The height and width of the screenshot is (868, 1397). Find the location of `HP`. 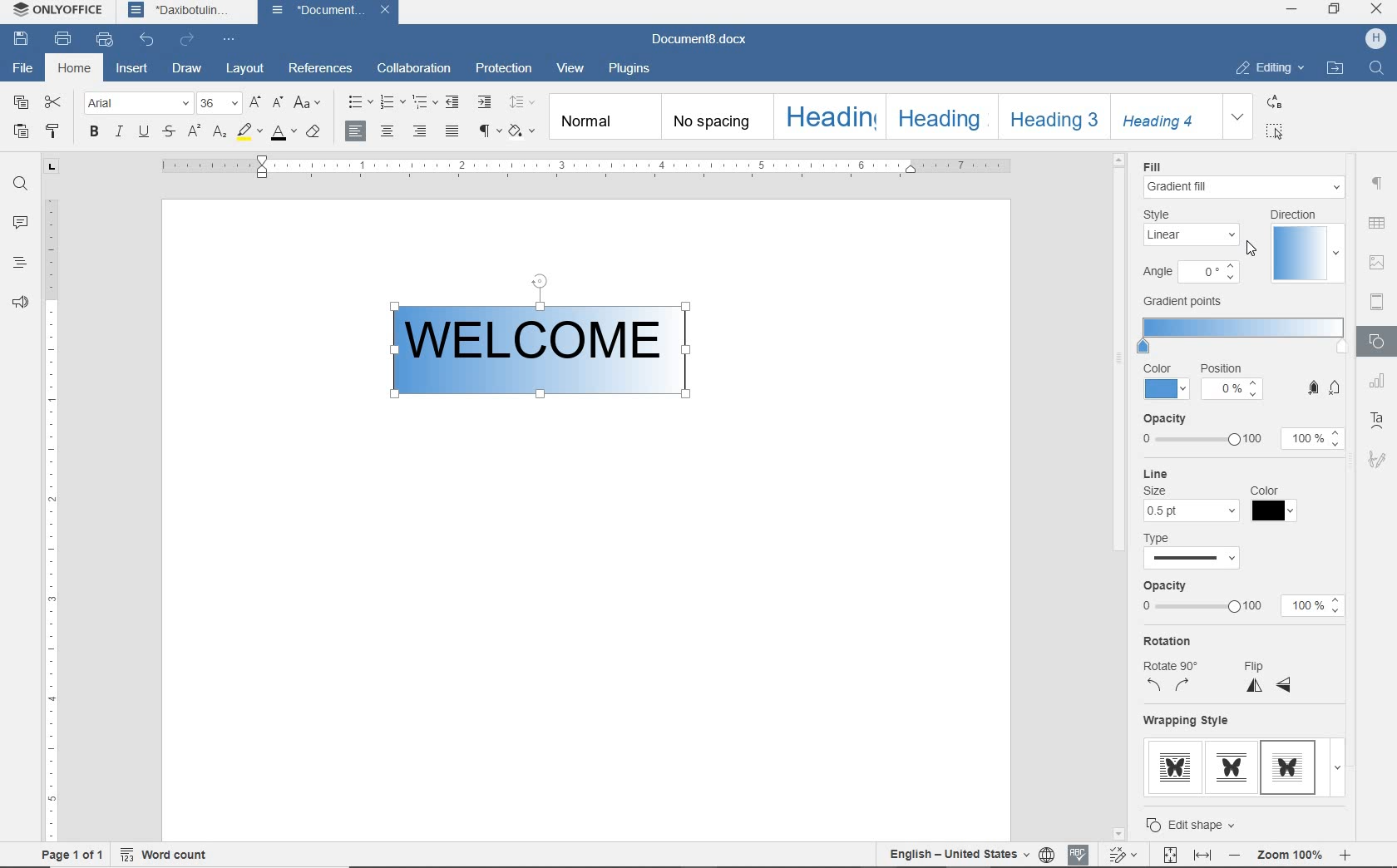

HP is located at coordinates (1375, 39).